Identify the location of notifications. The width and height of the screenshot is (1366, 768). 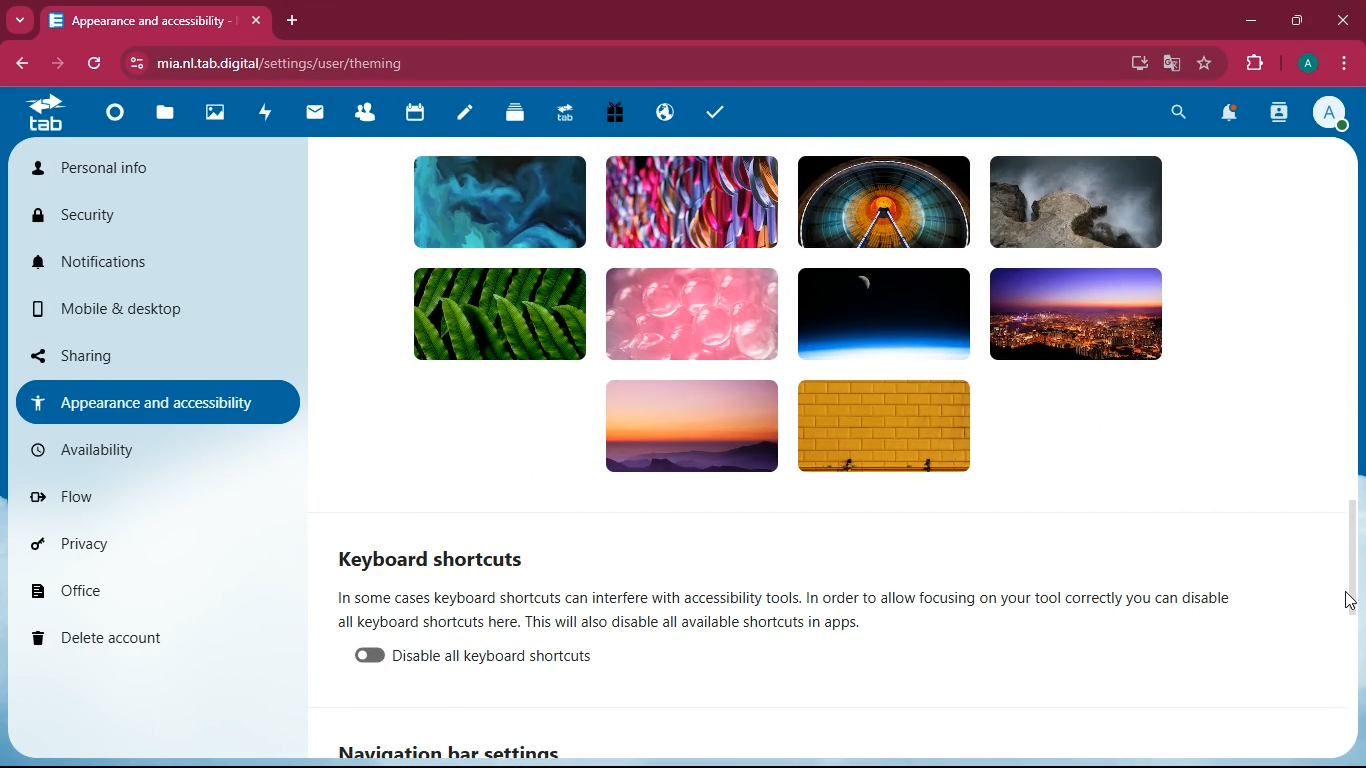
(143, 263).